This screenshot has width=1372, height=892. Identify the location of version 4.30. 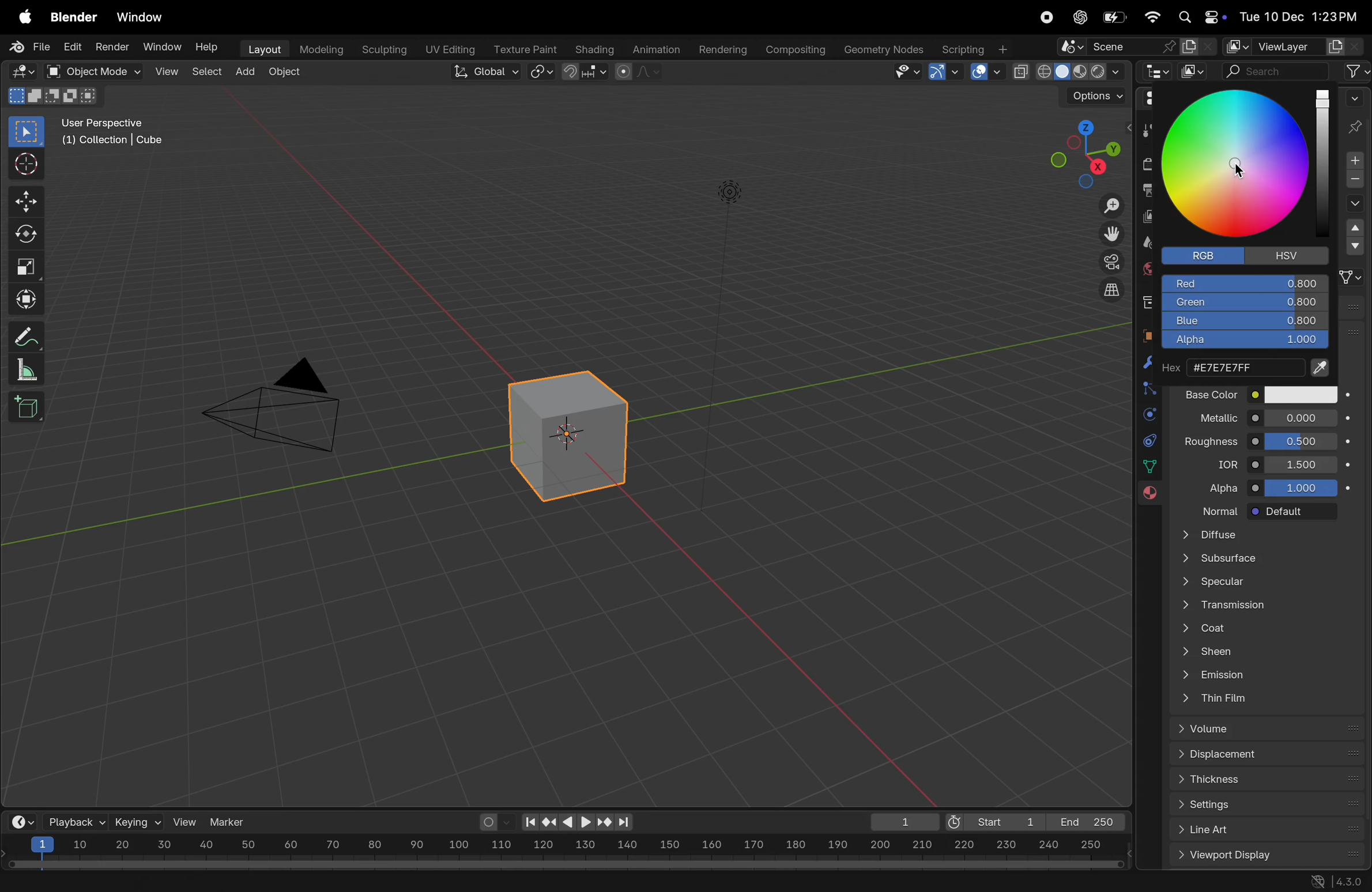
(1333, 882).